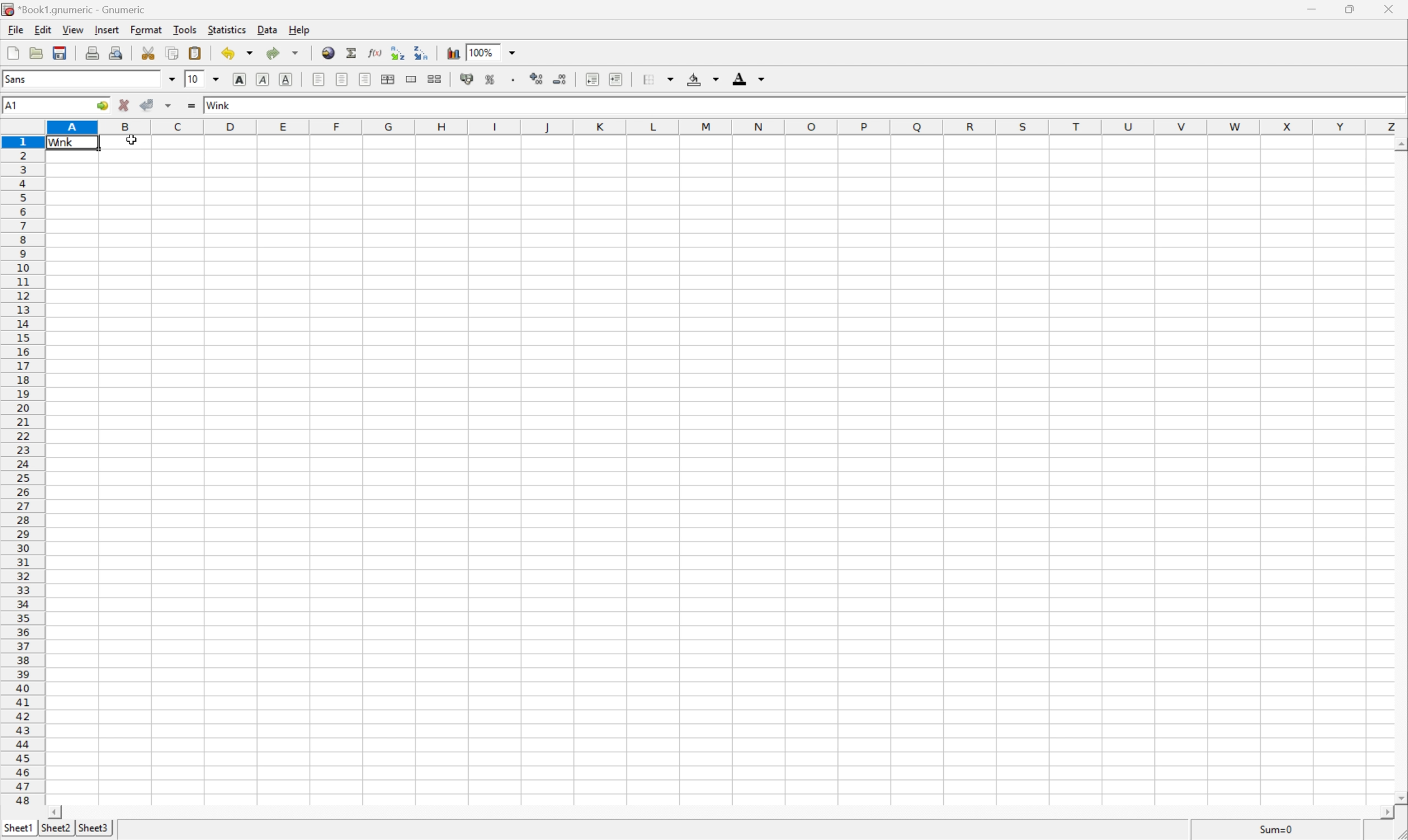 The height and width of the screenshot is (840, 1408). I want to click on minimize, so click(1313, 10).